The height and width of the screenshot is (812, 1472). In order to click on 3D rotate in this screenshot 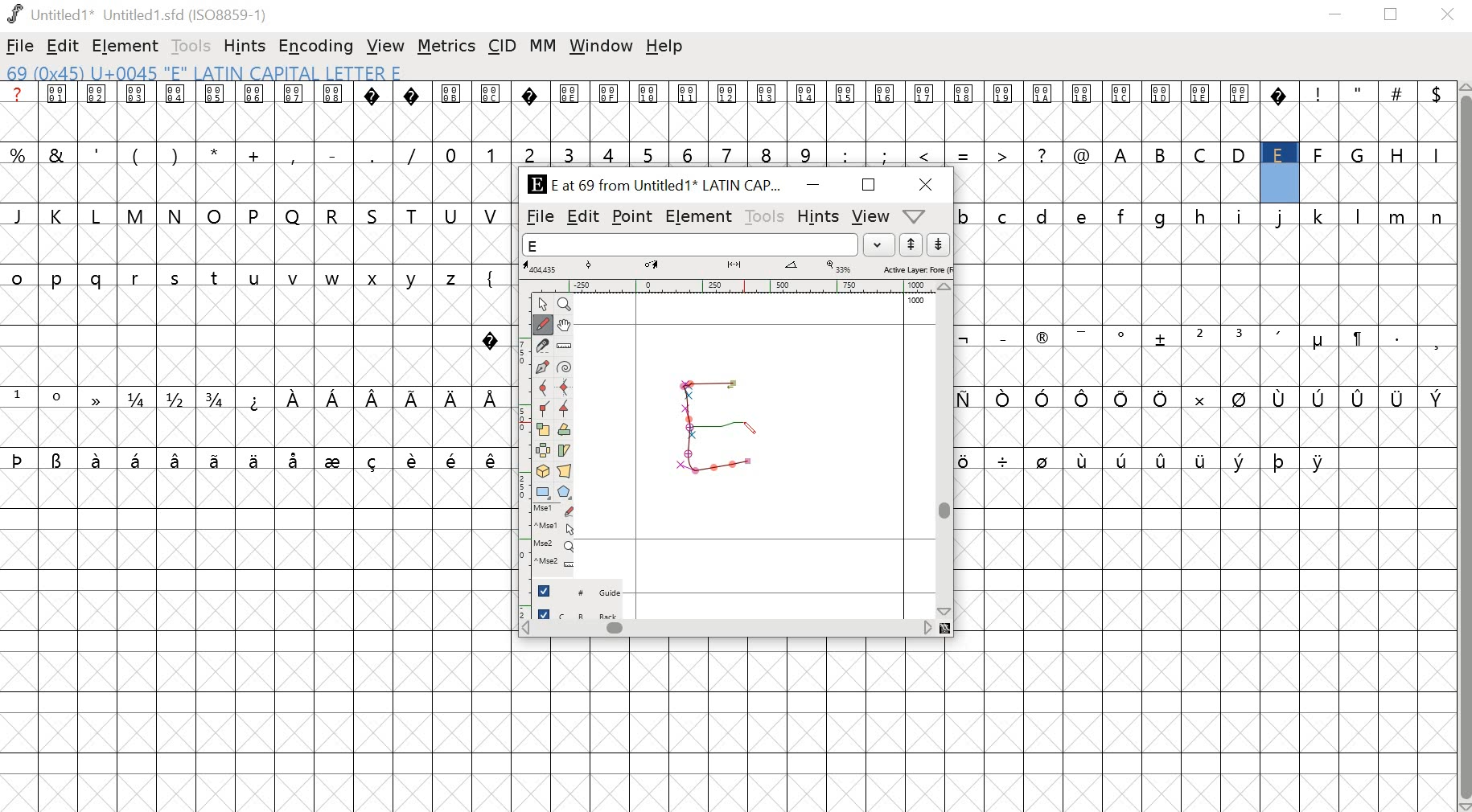, I will do `click(543, 473)`.